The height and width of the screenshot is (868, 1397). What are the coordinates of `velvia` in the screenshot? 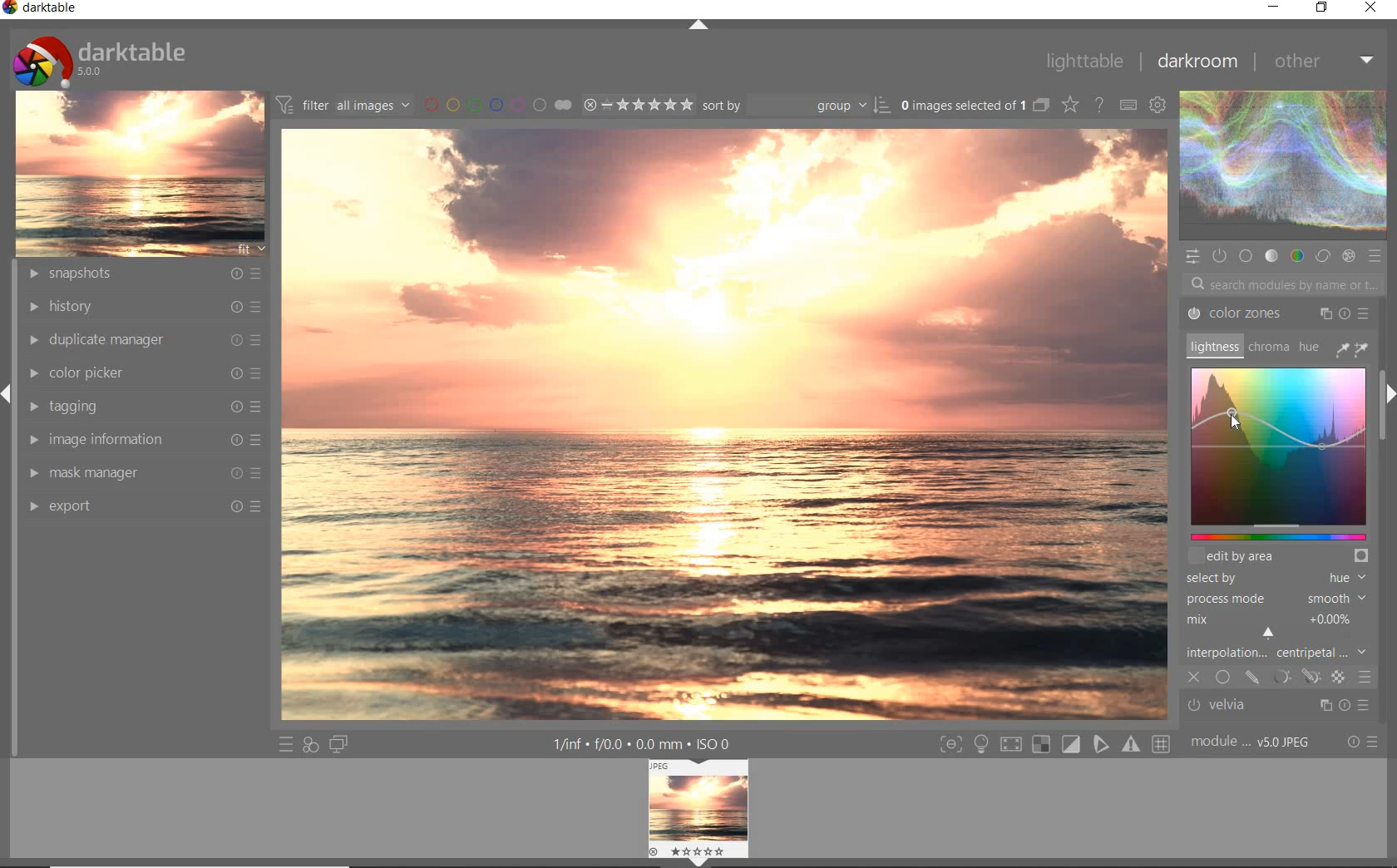 It's located at (1273, 707).